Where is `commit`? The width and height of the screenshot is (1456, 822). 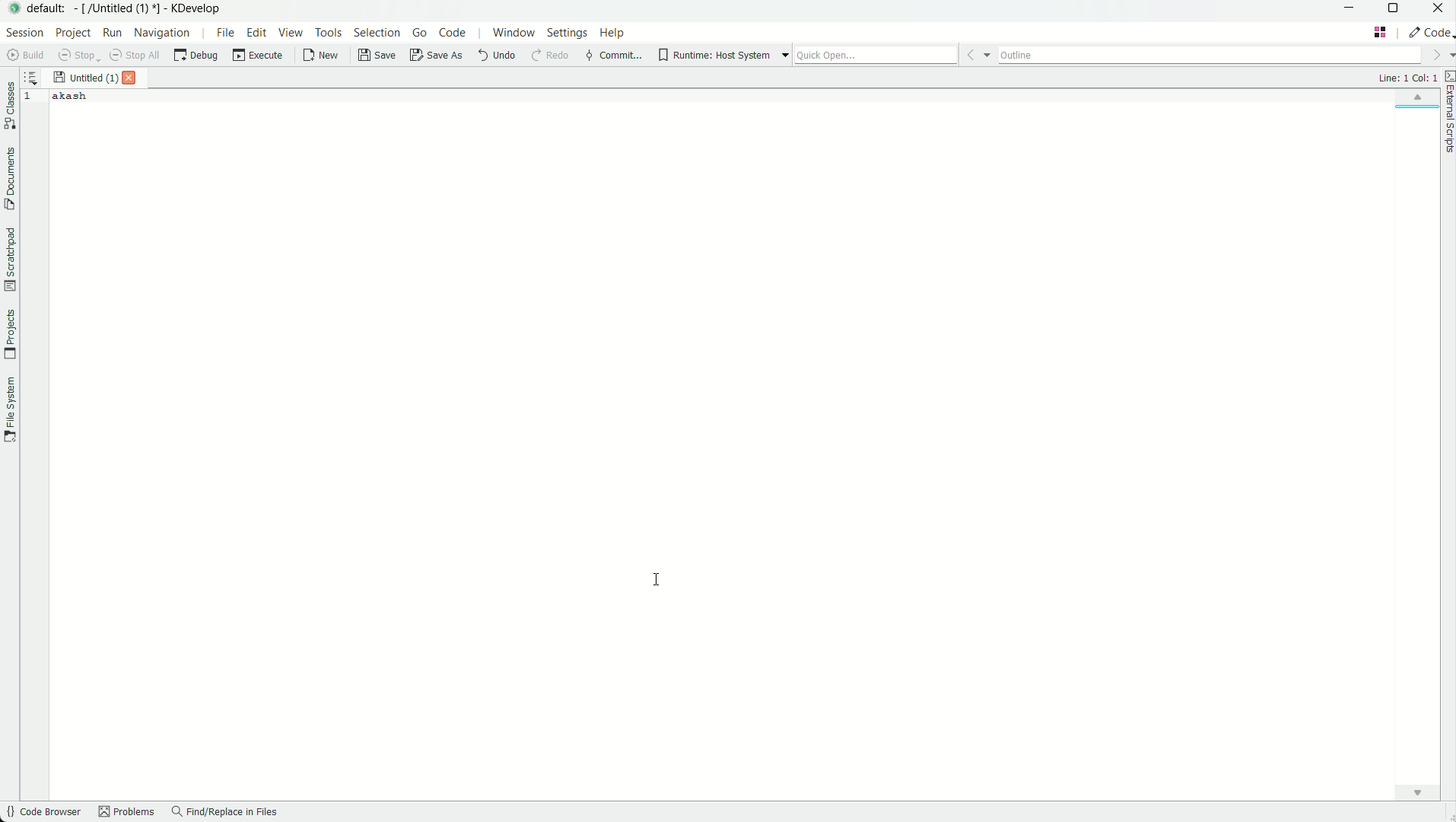 commit is located at coordinates (613, 56).